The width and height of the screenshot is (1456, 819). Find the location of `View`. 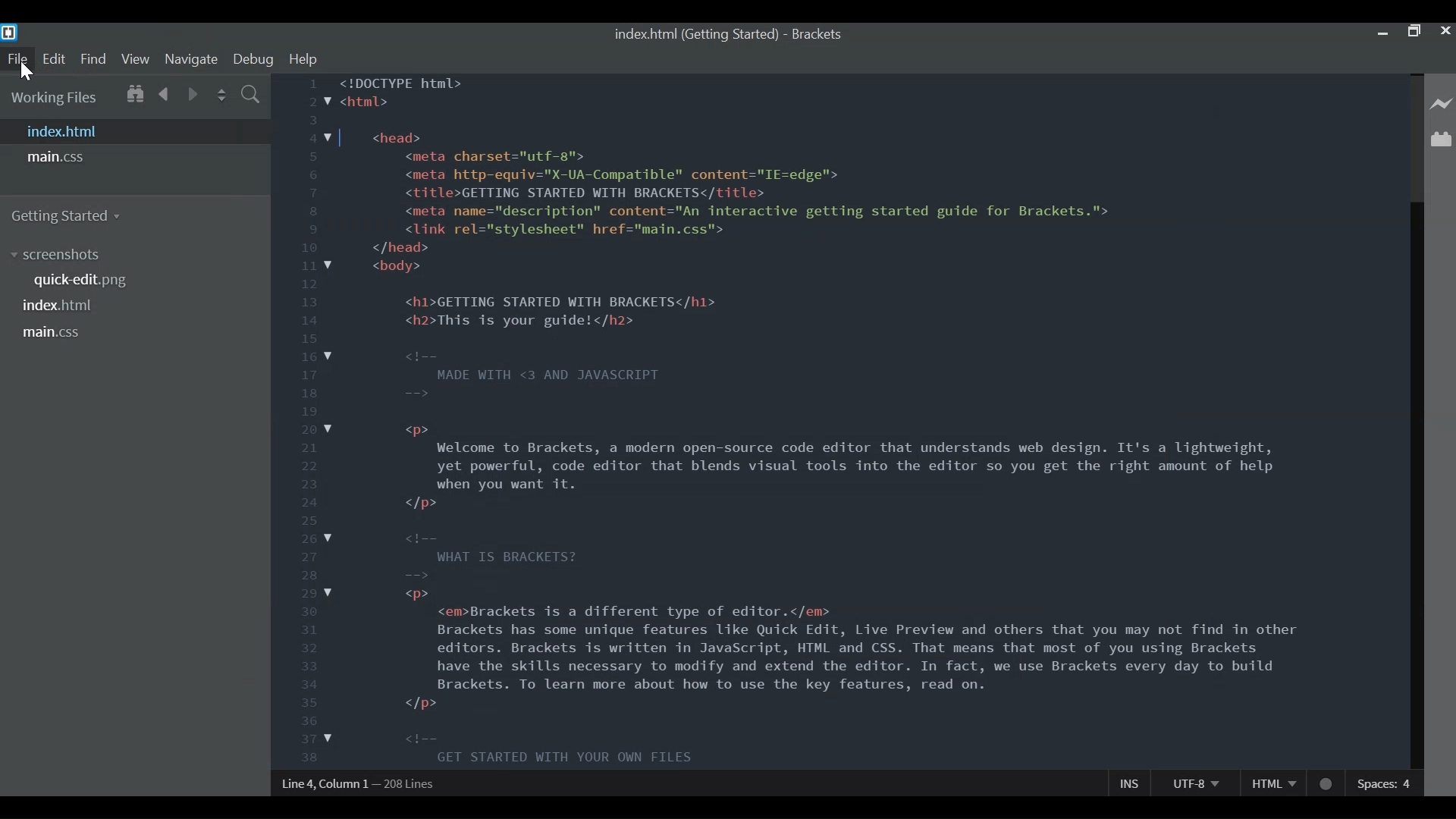

View is located at coordinates (136, 59).